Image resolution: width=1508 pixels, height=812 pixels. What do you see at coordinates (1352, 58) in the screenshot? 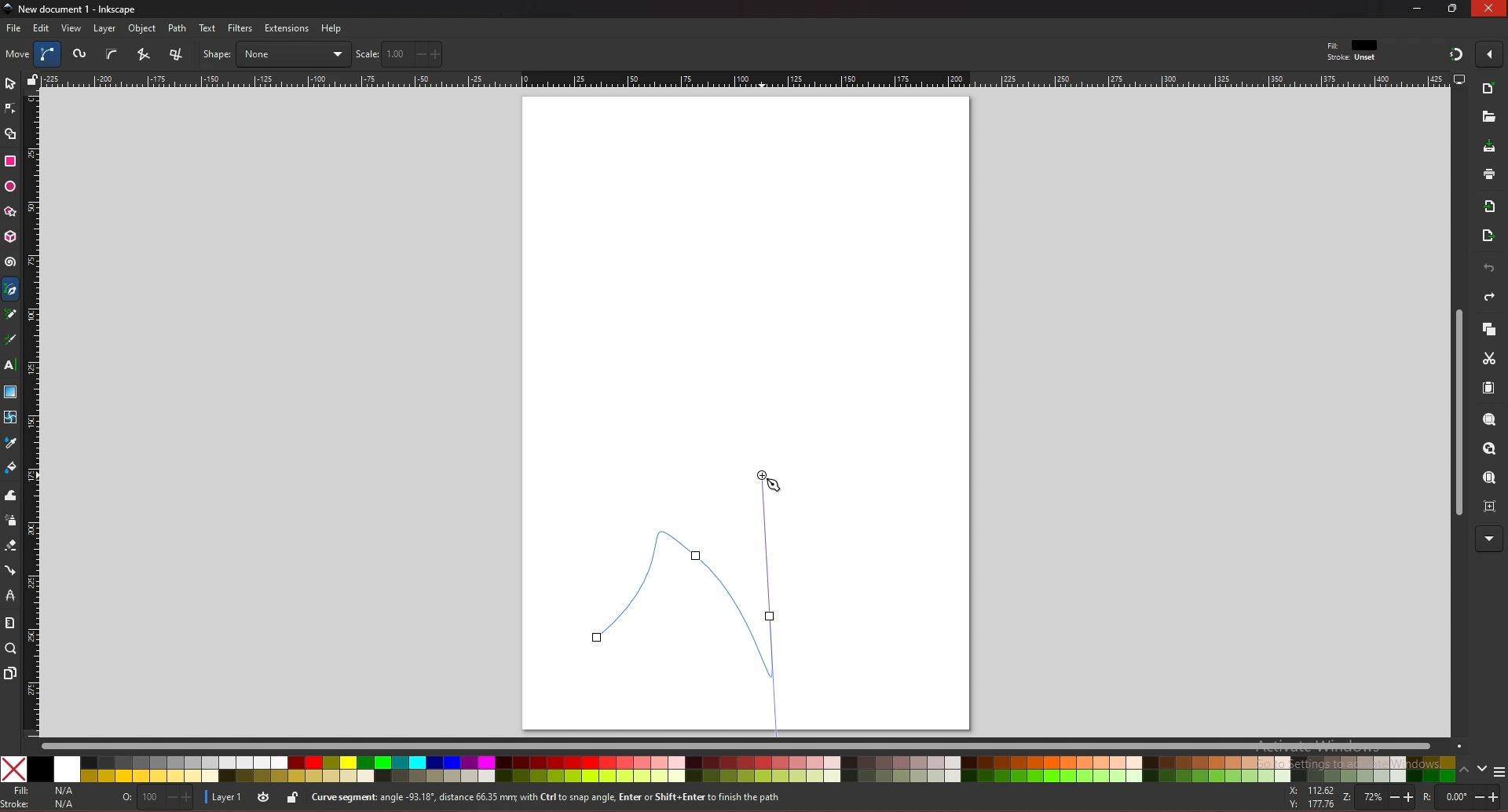
I see `stroke` at bounding box center [1352, 58].